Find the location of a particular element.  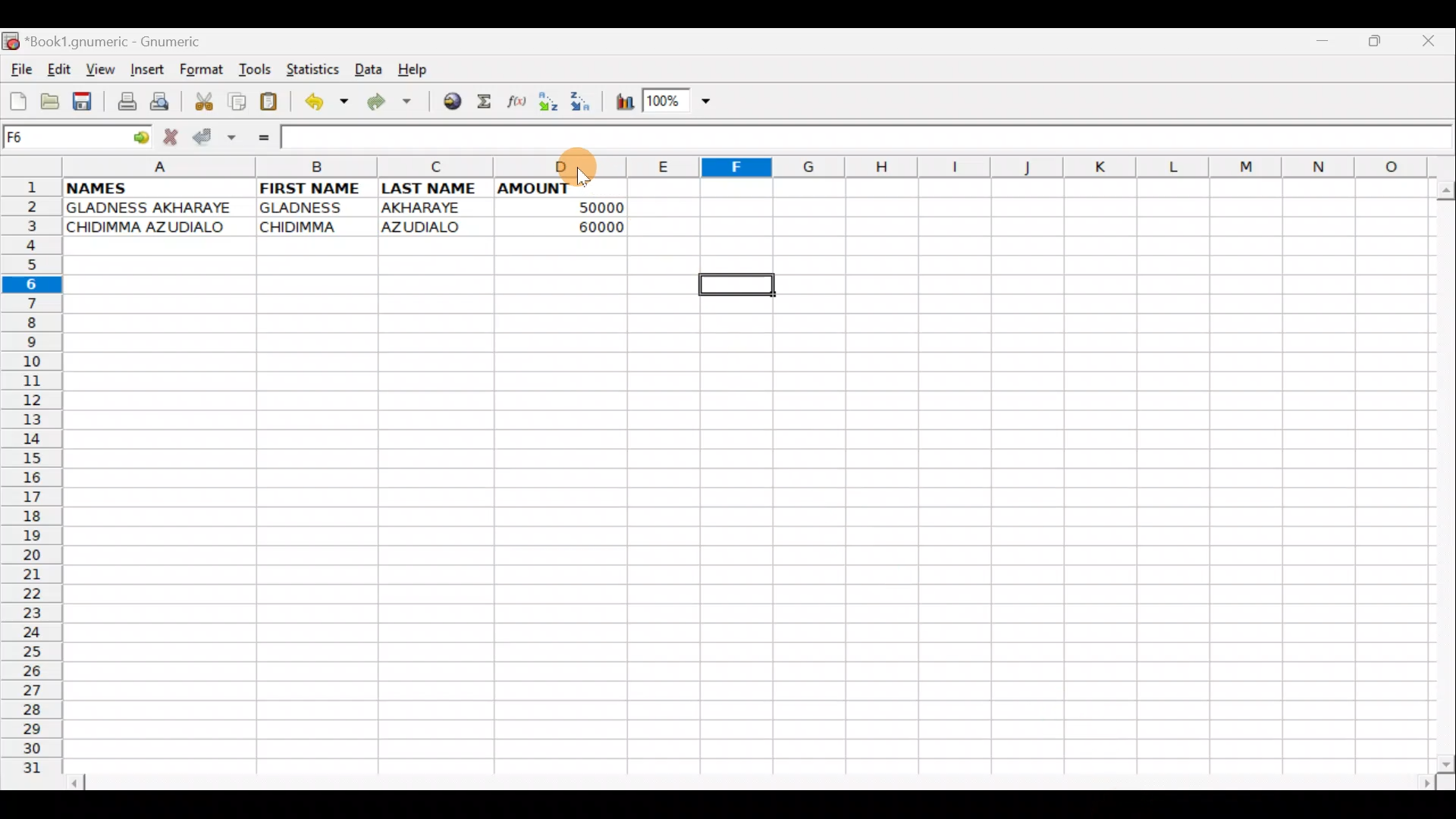

AKHARAYE is located at coordinates (423, 207).